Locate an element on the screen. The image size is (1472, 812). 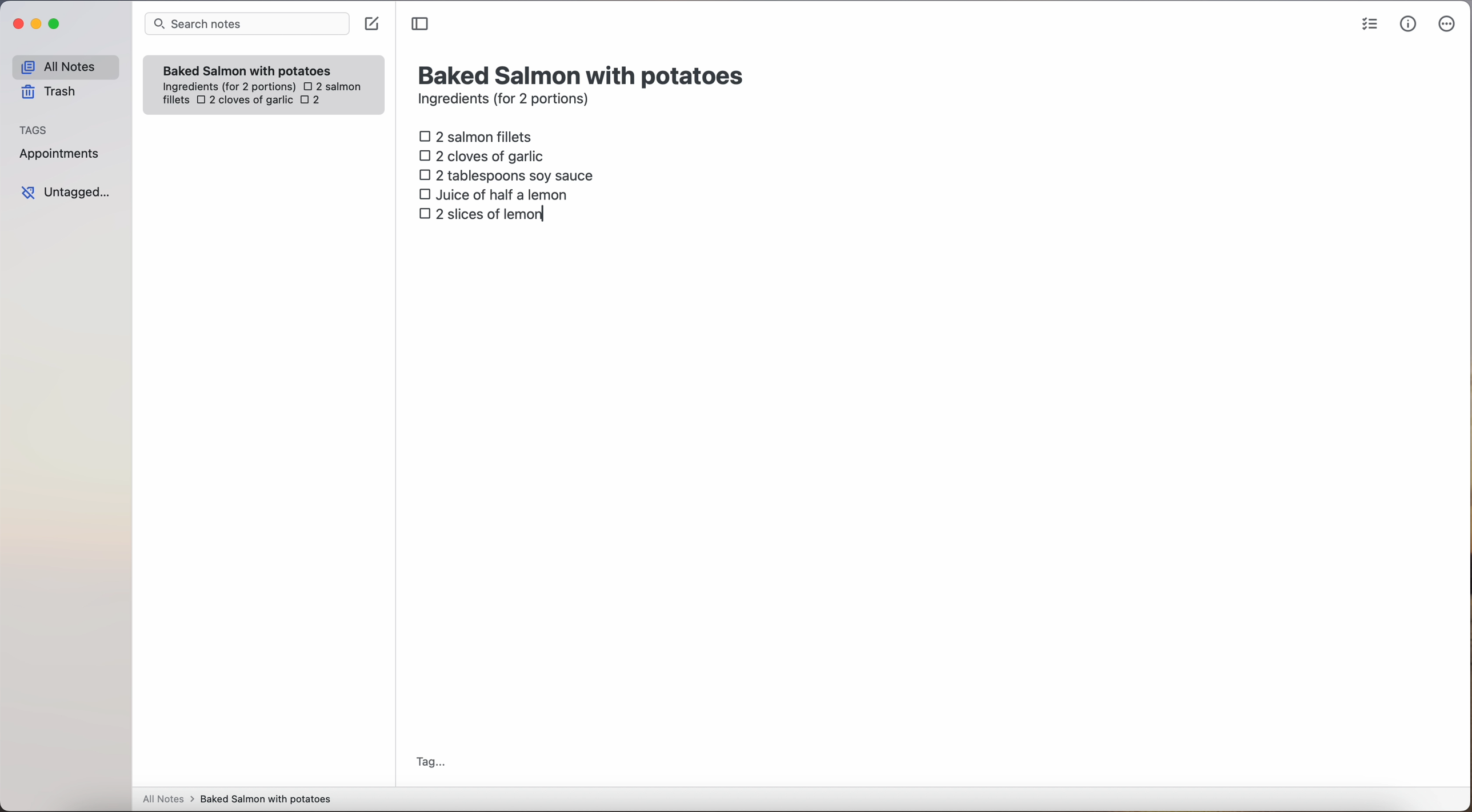
all notes is located at coordinates (65, 66).